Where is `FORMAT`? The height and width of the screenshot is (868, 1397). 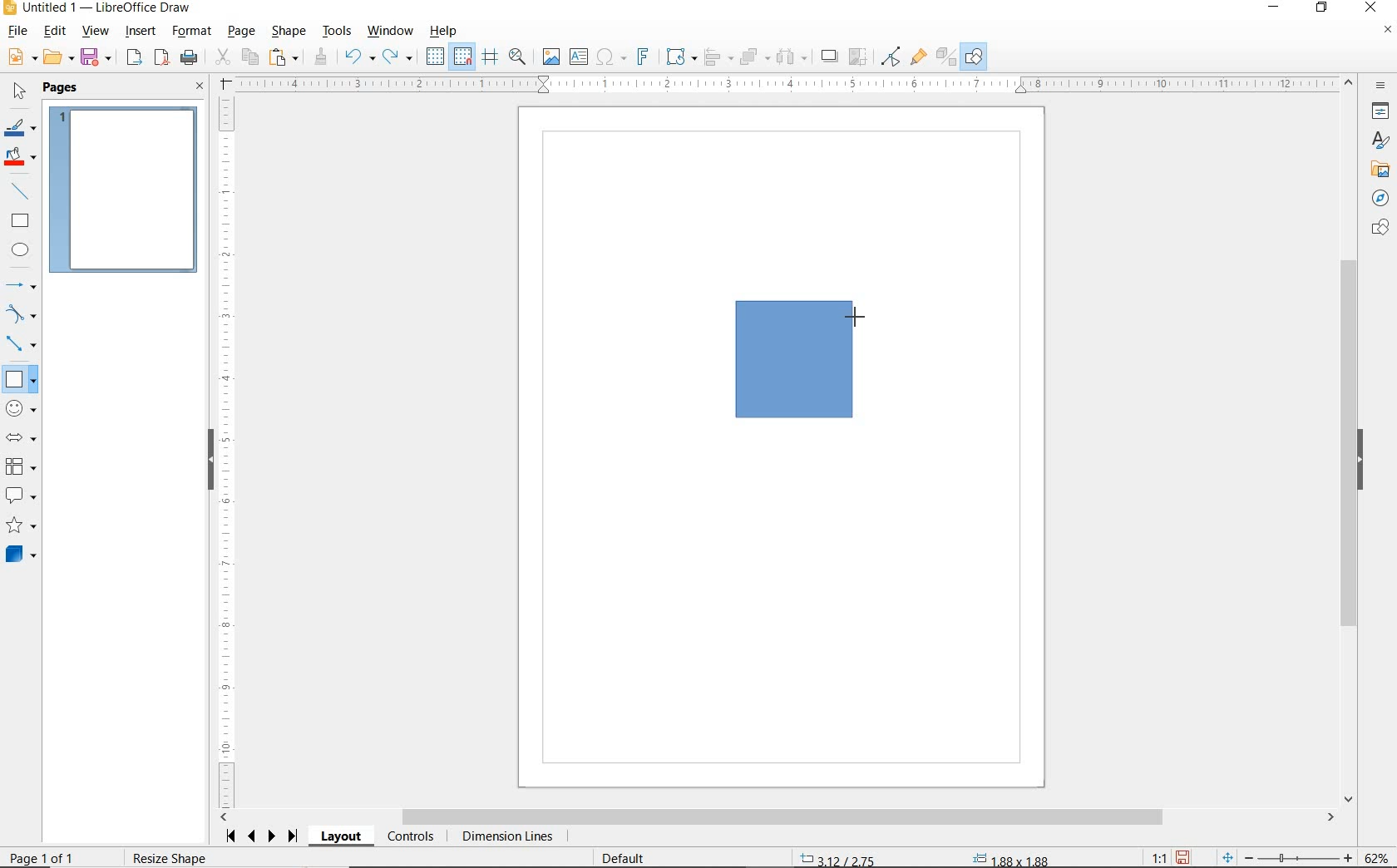
FORMAT is located at coordinates (192, 32).